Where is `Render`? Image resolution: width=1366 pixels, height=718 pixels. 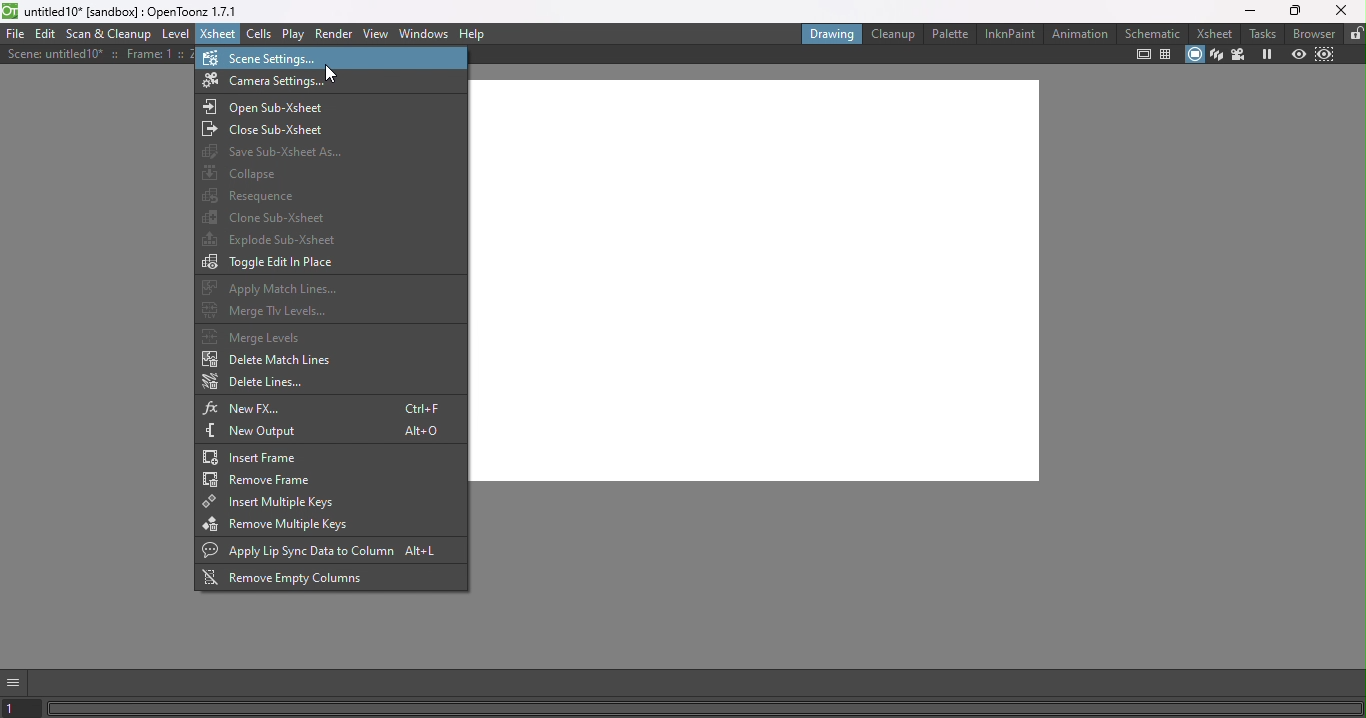
Render is located at coordinates (335, 33).